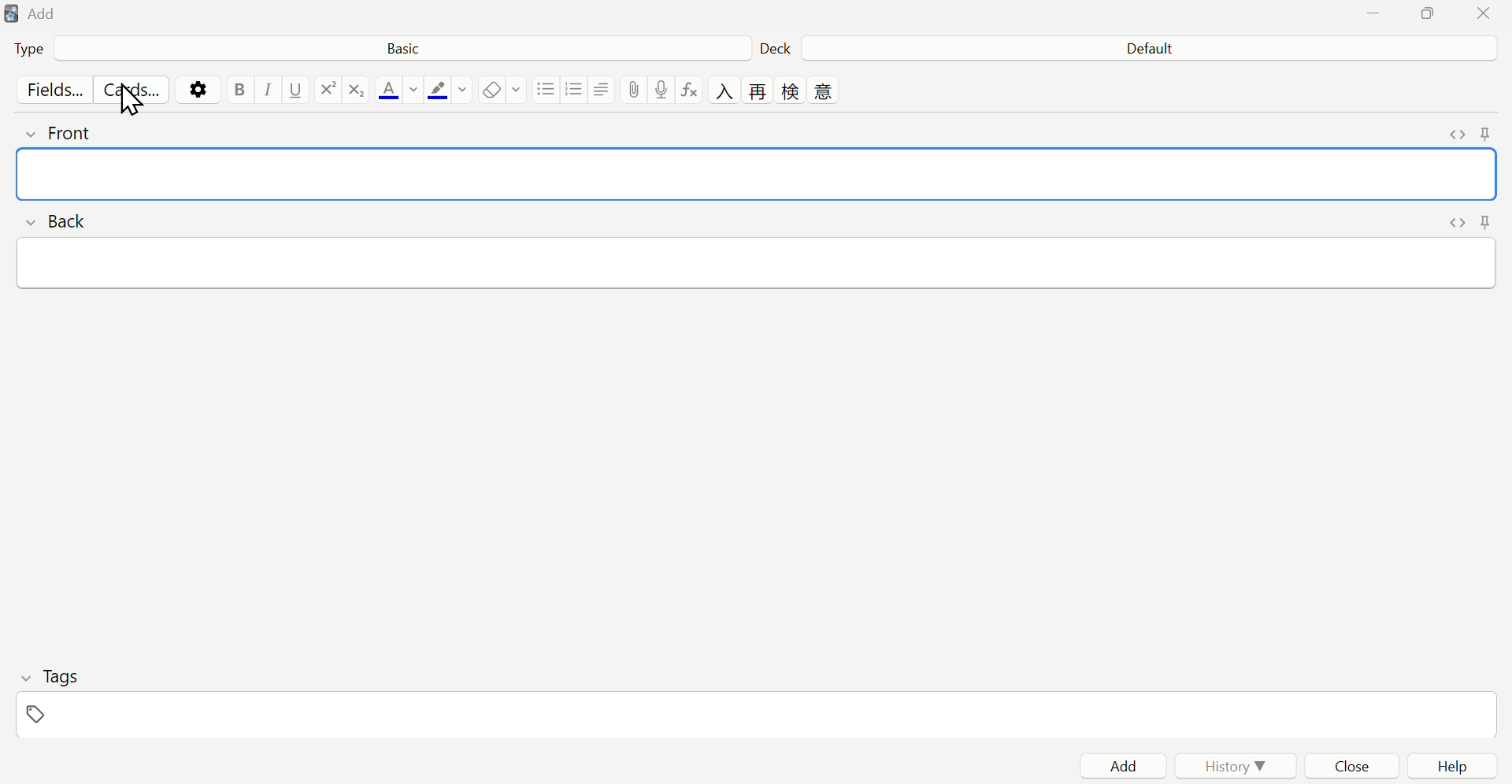  What do you see at coordinates (636, 90) in the screenshot?
I see `Attach file` at bounding box center [636, 90].